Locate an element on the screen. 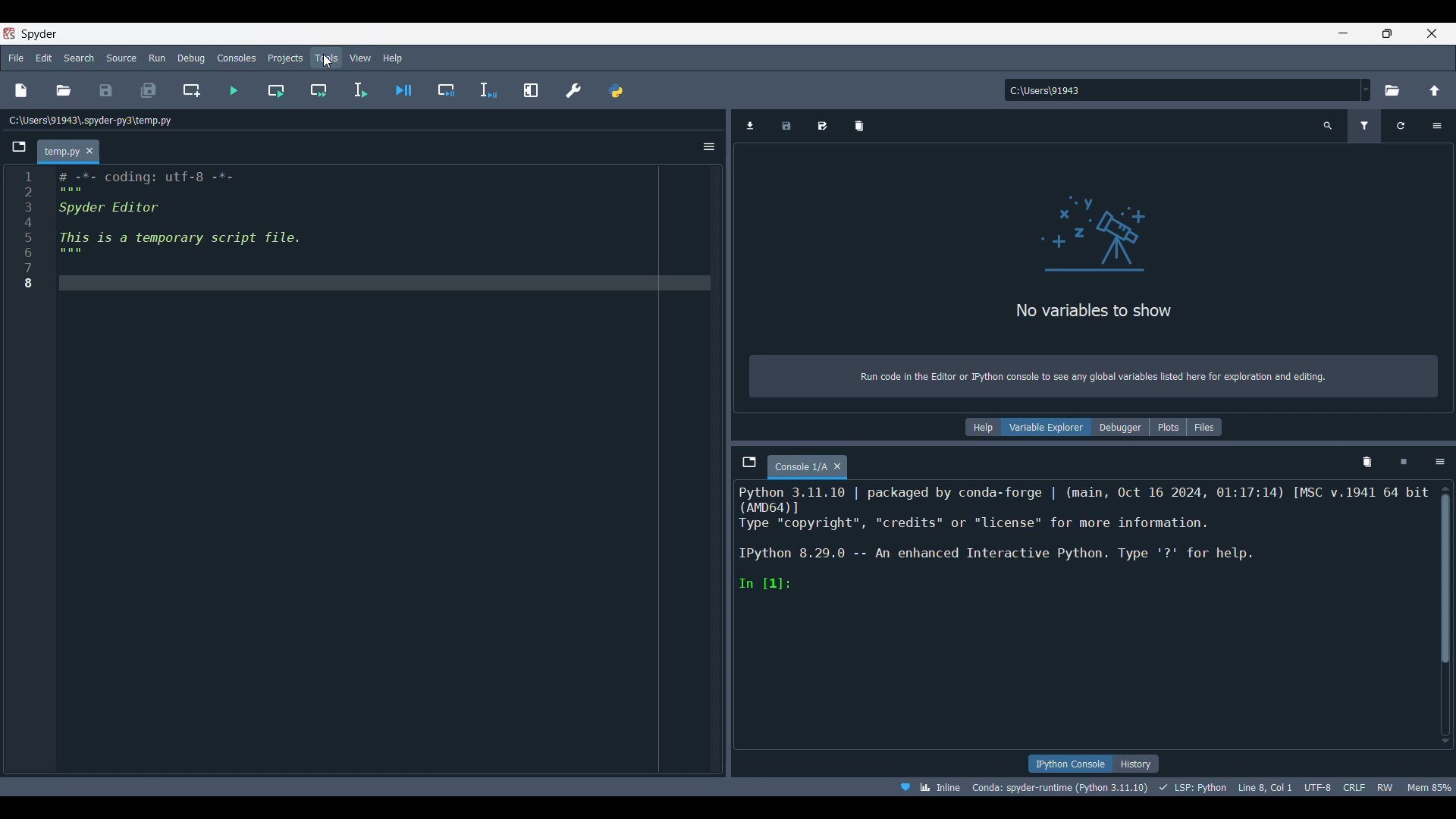  CRLF is located at coordinates (1354, 789).